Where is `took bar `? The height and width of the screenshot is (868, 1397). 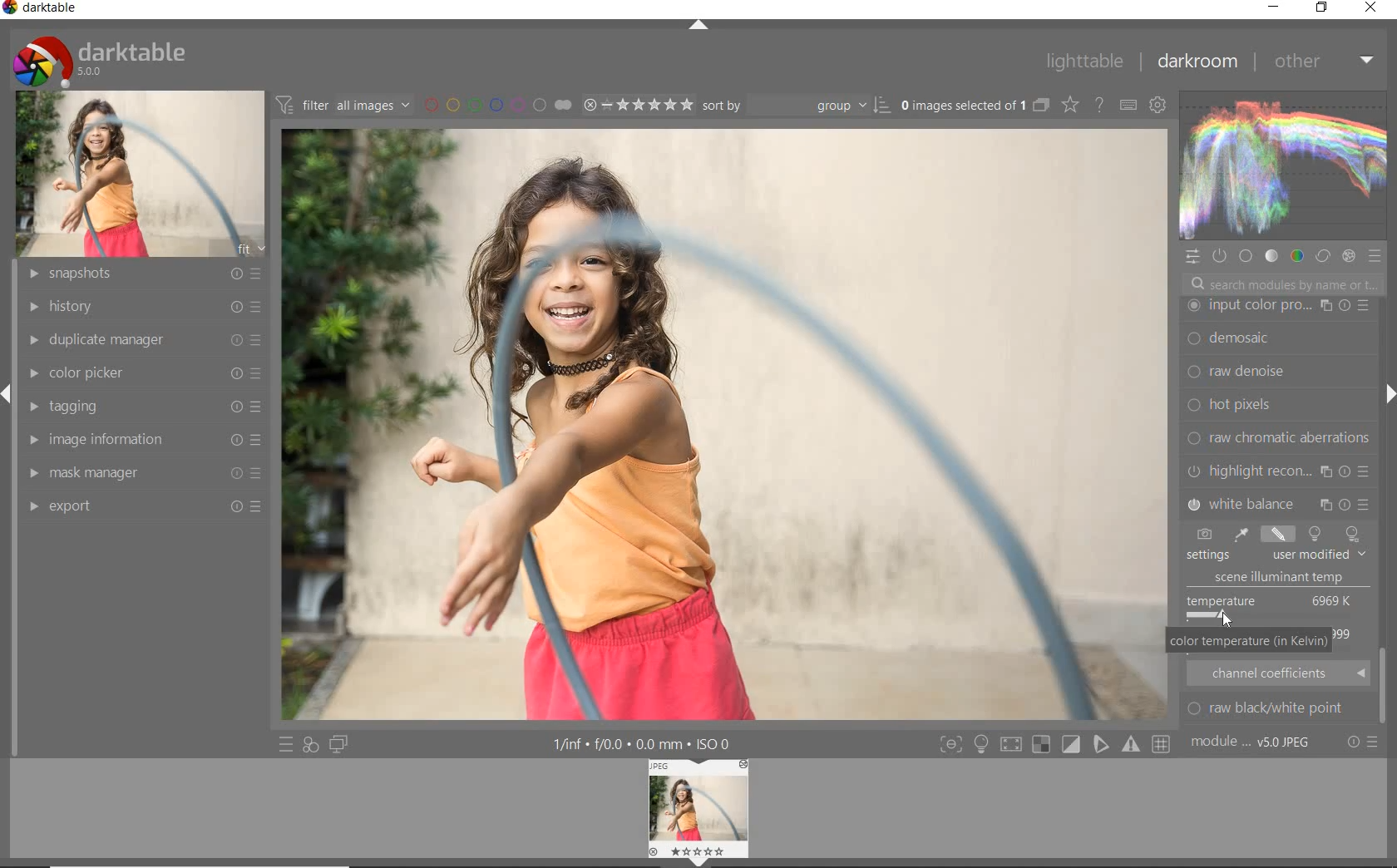
took bar  is located at coordinates (1385, 688).